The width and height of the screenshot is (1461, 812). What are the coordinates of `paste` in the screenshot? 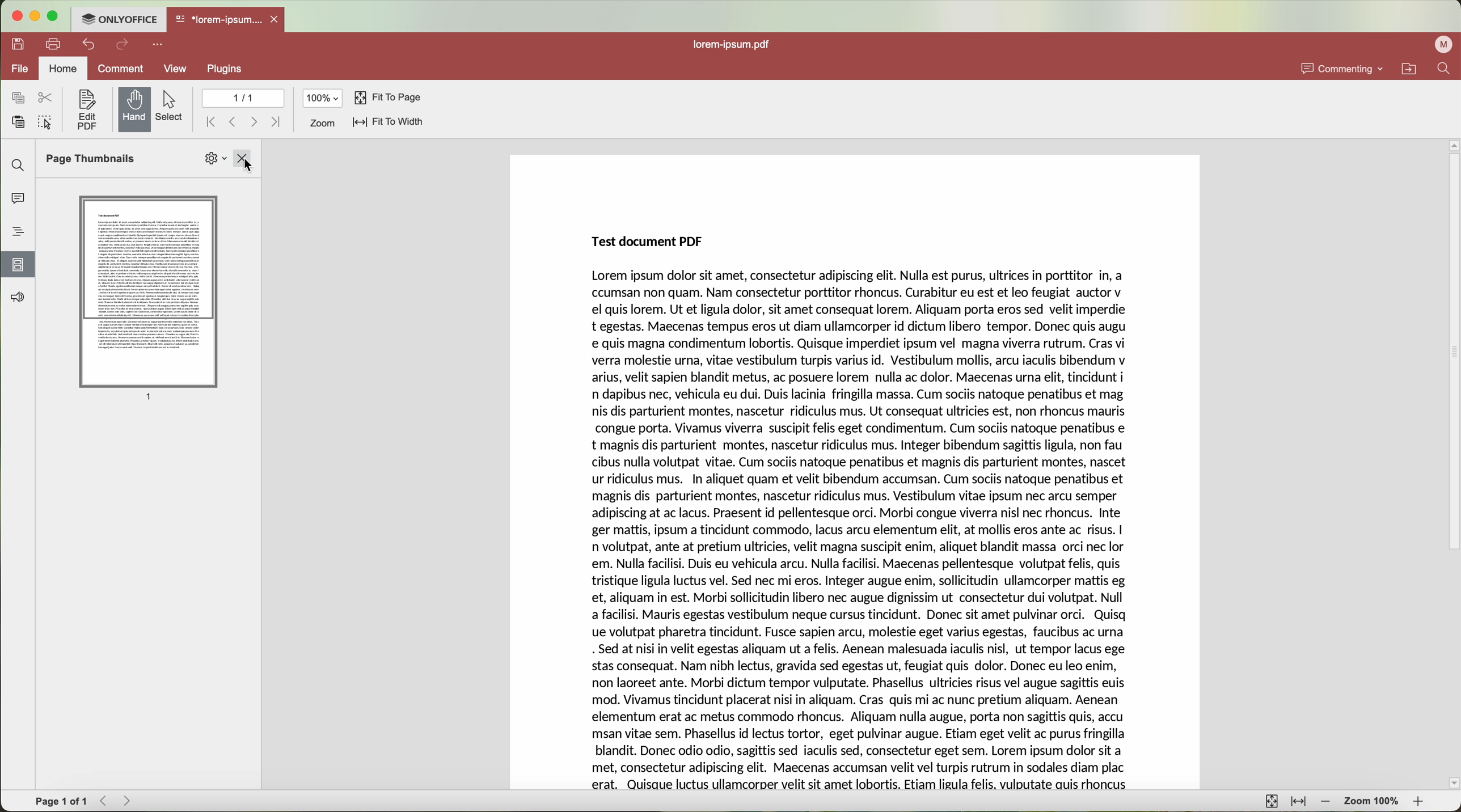 It's located at (14, 122).